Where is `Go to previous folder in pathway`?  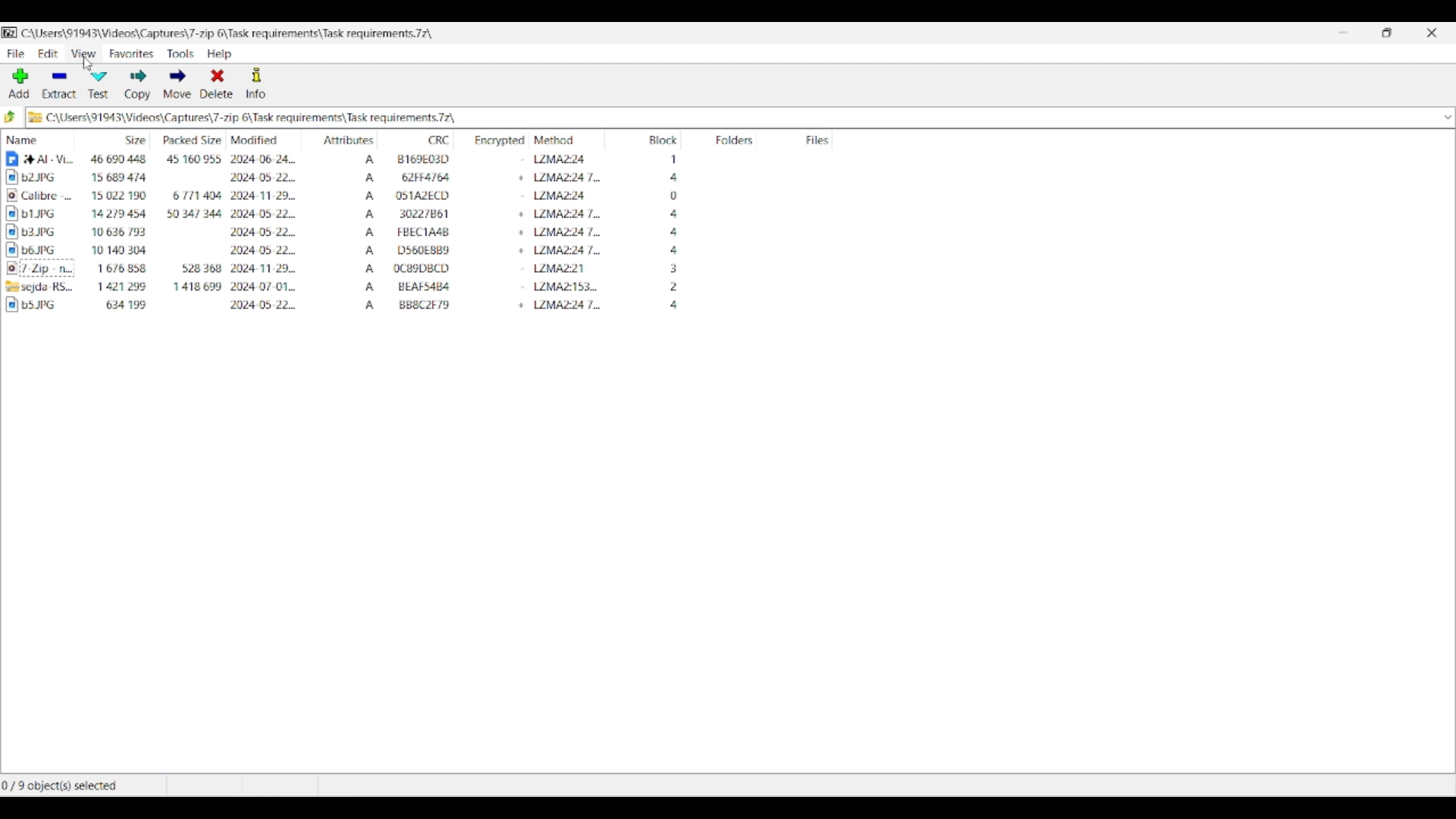 Go to previous folder in pathway is located at coordinates (11, 116).